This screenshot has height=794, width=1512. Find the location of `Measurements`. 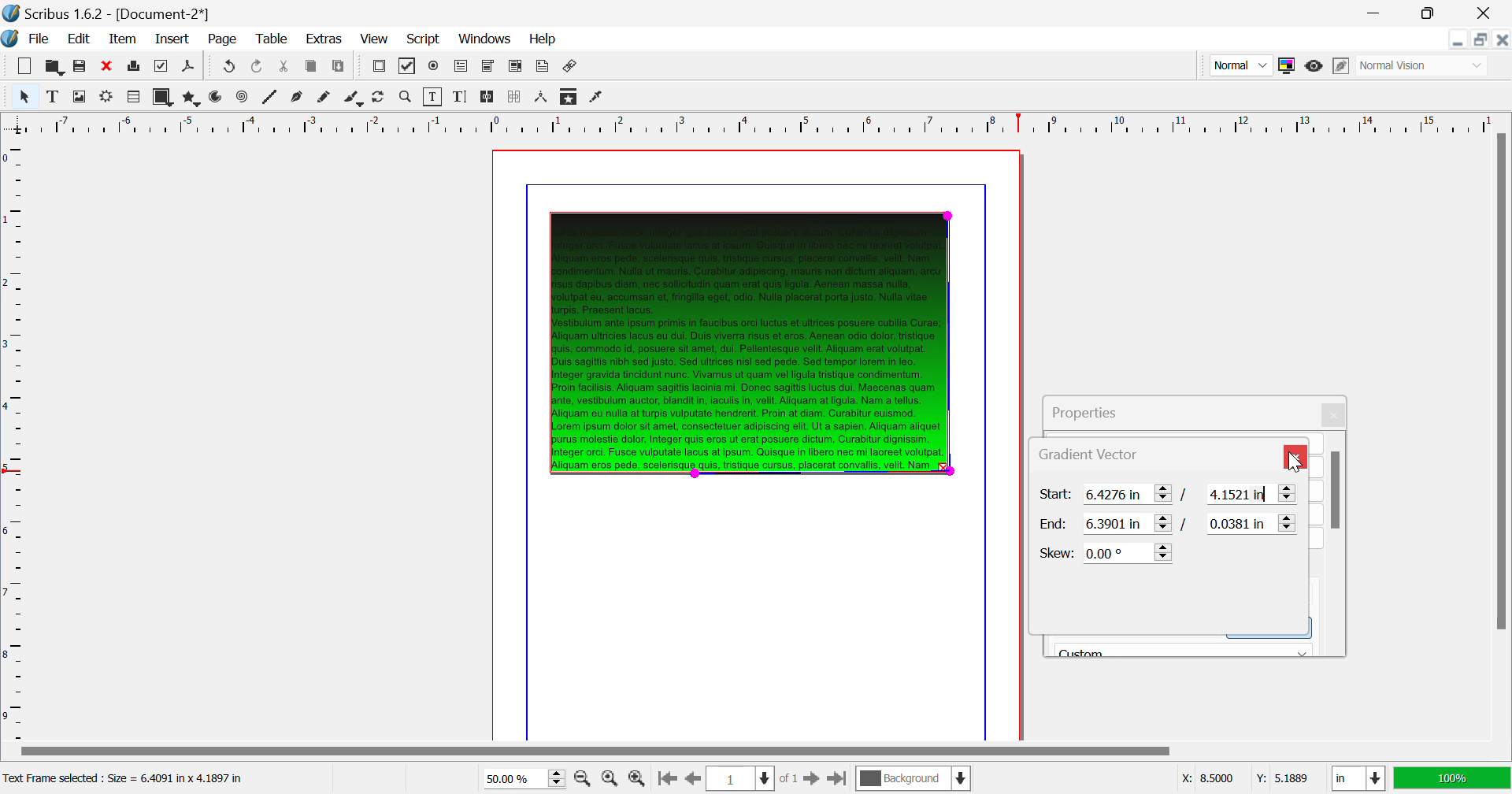

Measurements is located at coordinates (543, 98).